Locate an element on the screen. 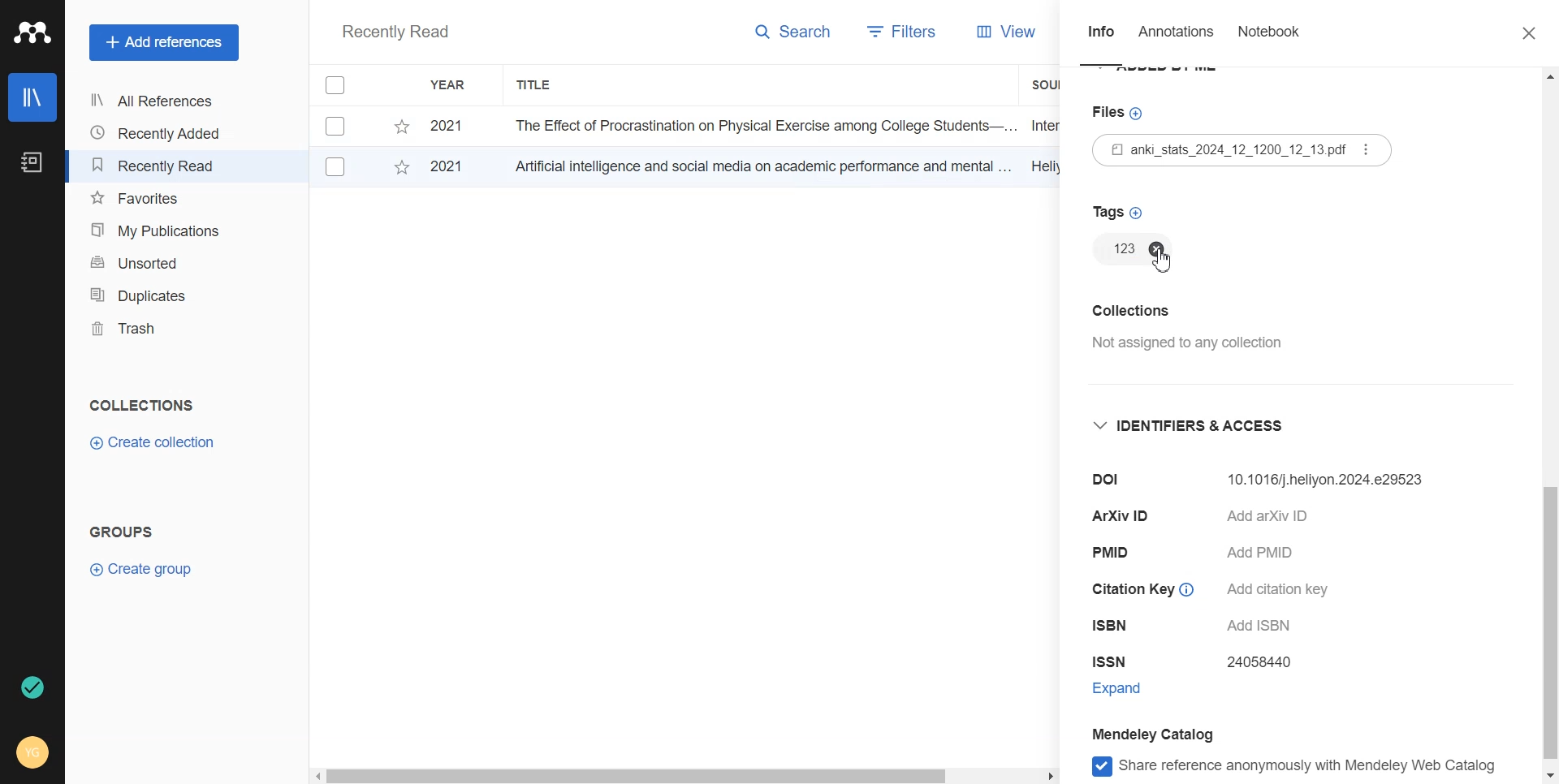 This screenshot has width=1559, height=784. Files is located at coordinates (1250, 150).